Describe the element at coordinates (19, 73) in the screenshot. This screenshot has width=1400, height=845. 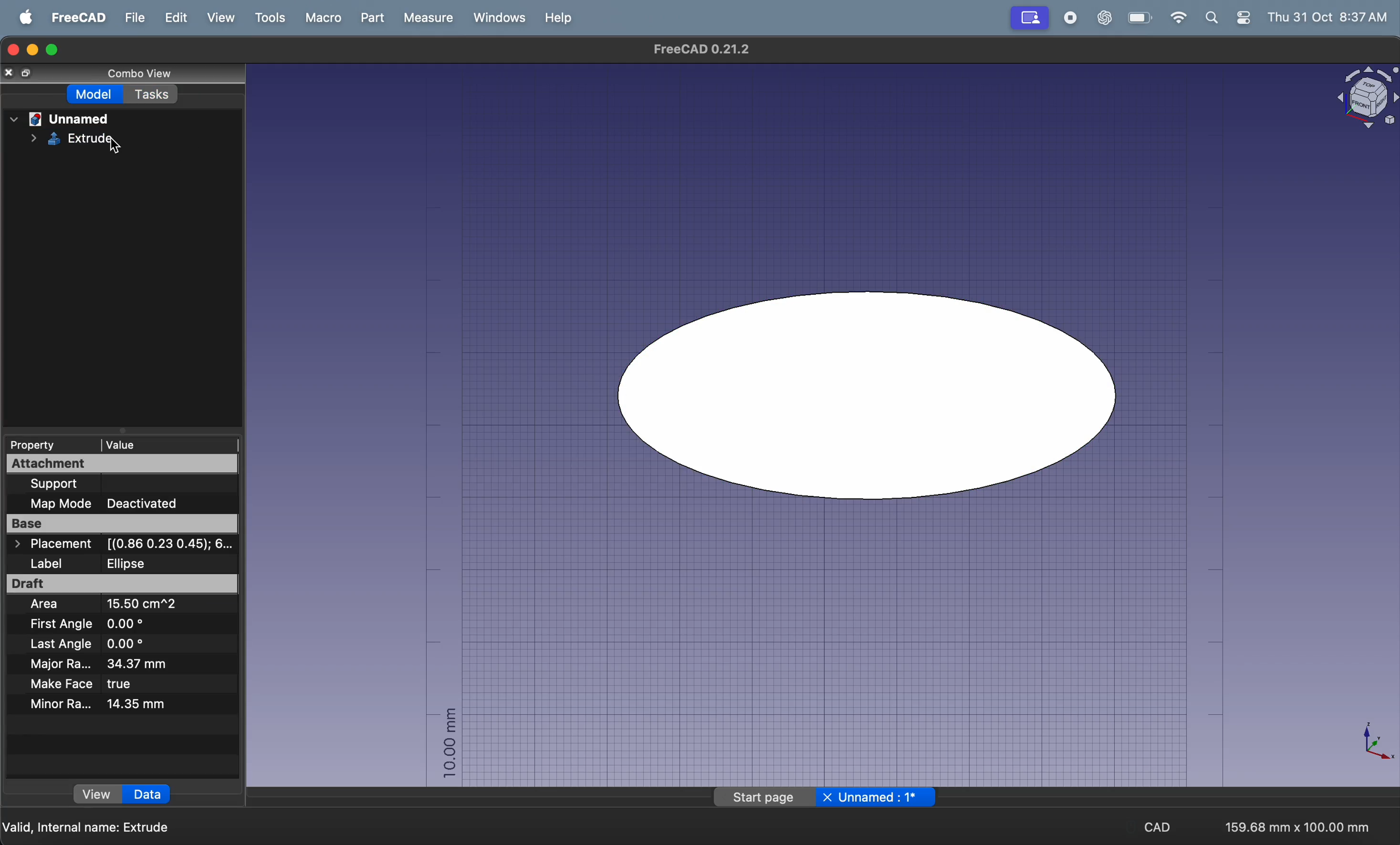
I see `close` at that location.